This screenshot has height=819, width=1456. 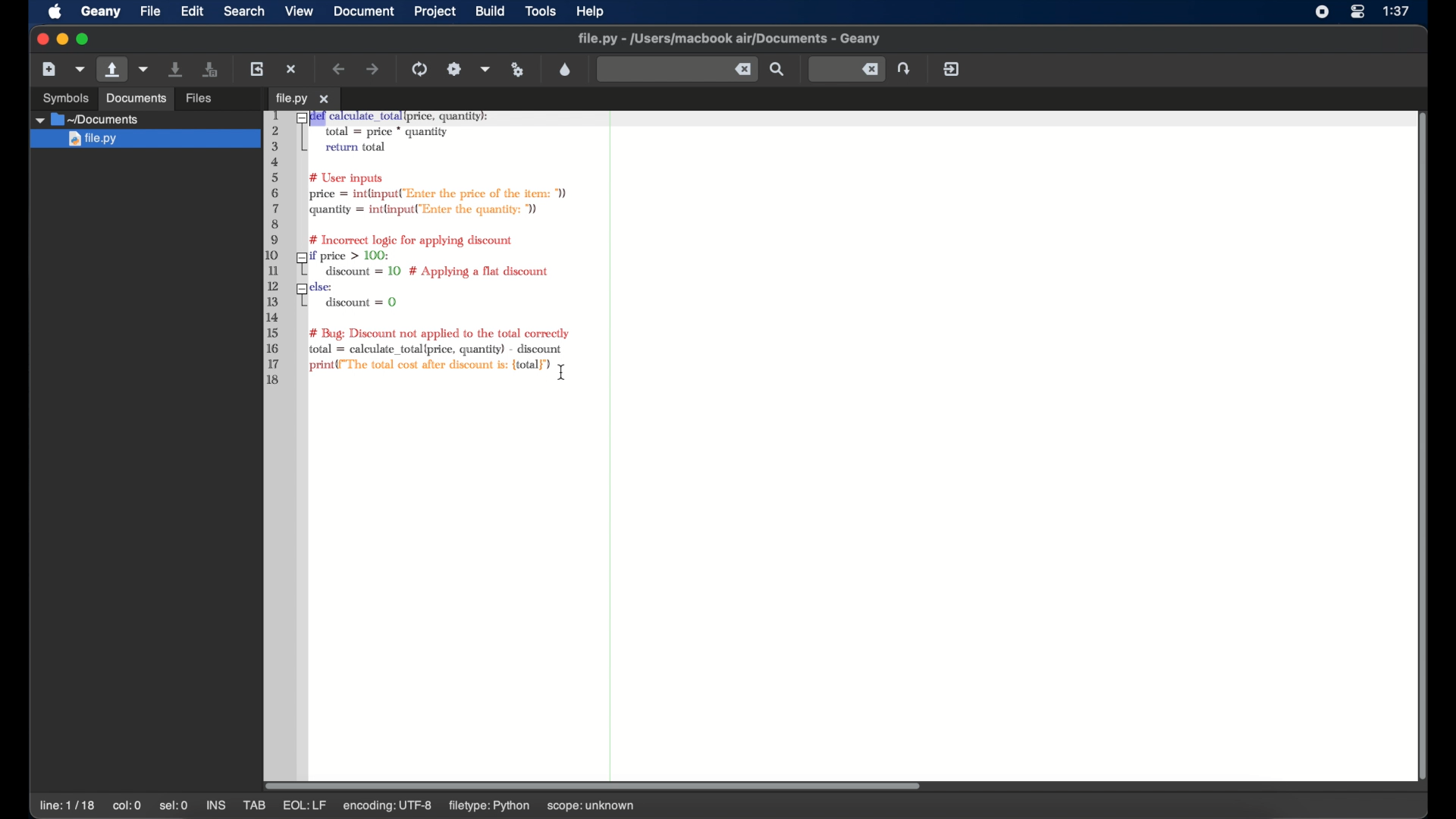 I want to click on help, so click(x=591, y=11).